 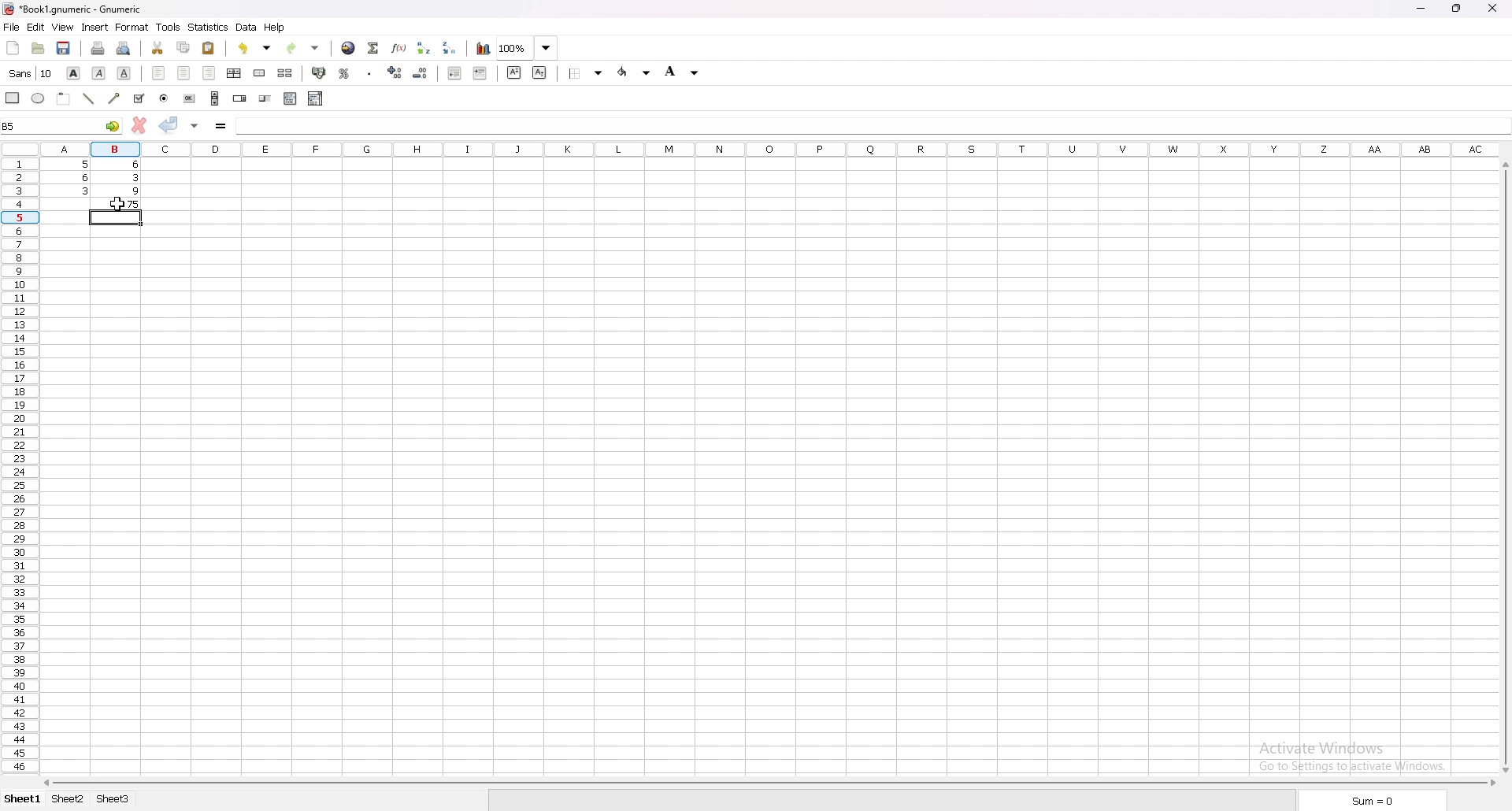 What do you see at coordinates (132, 27) in the screenshot?
I see `format` at bounding box center [132, 27].